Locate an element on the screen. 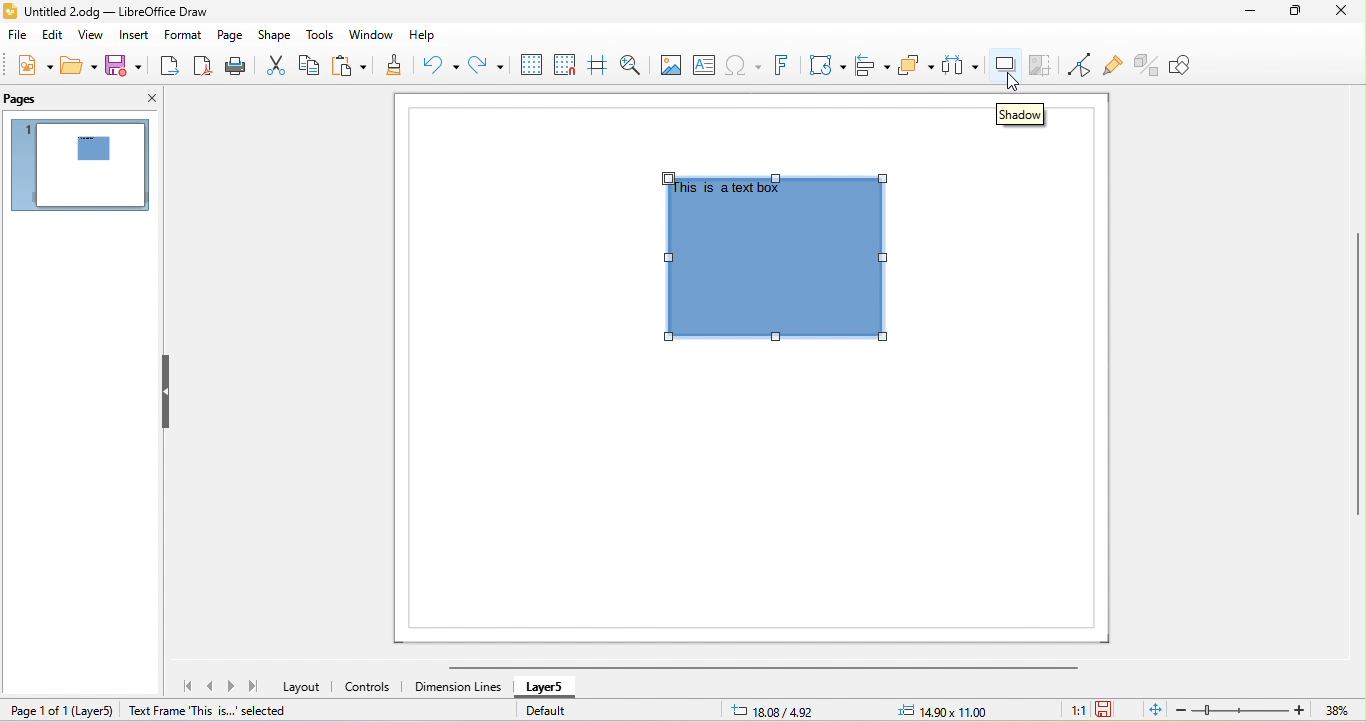  clone formatting is located at coordinates (395, 67).